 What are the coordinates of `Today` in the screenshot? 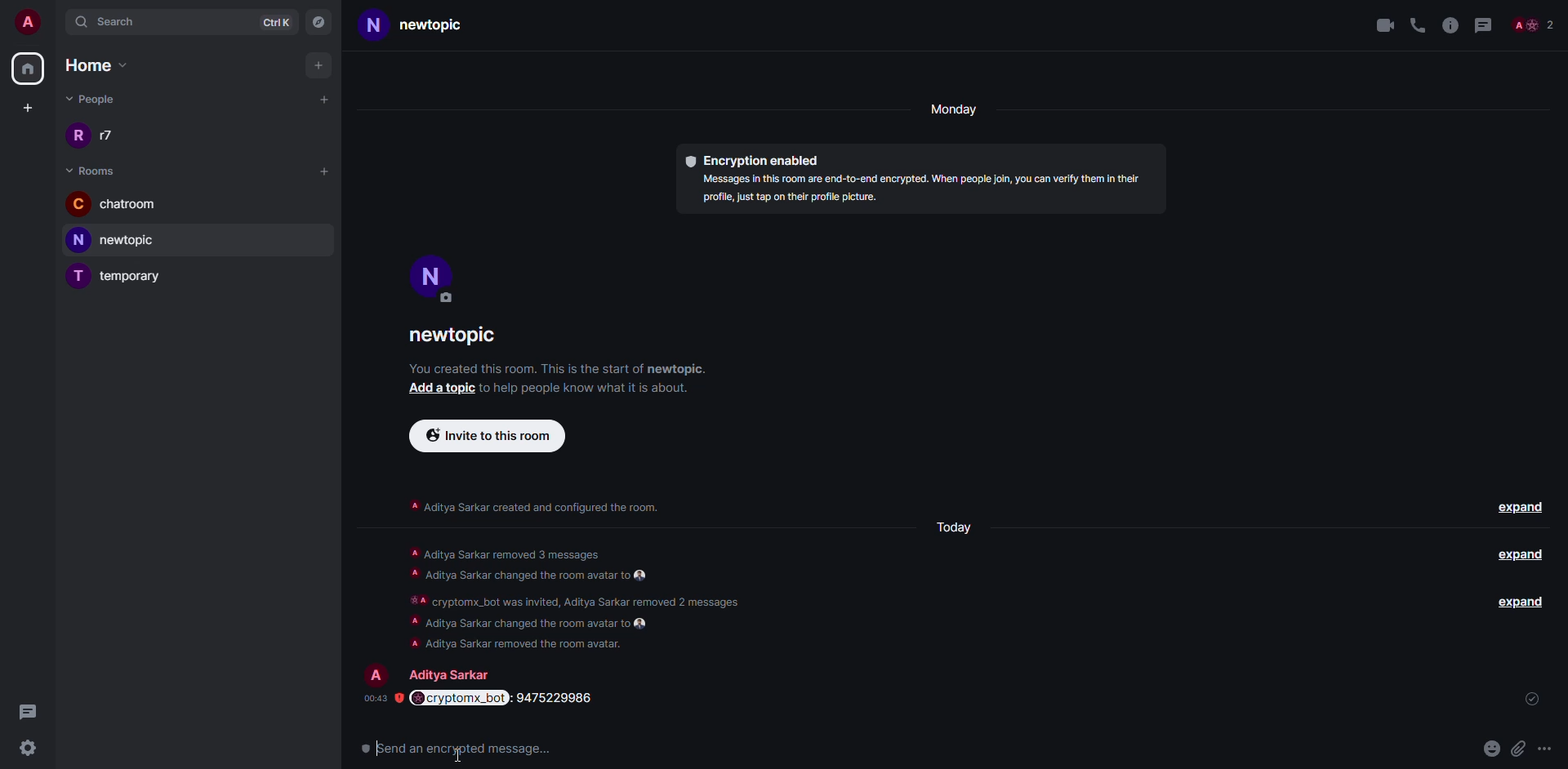 It's located at (960, 527).